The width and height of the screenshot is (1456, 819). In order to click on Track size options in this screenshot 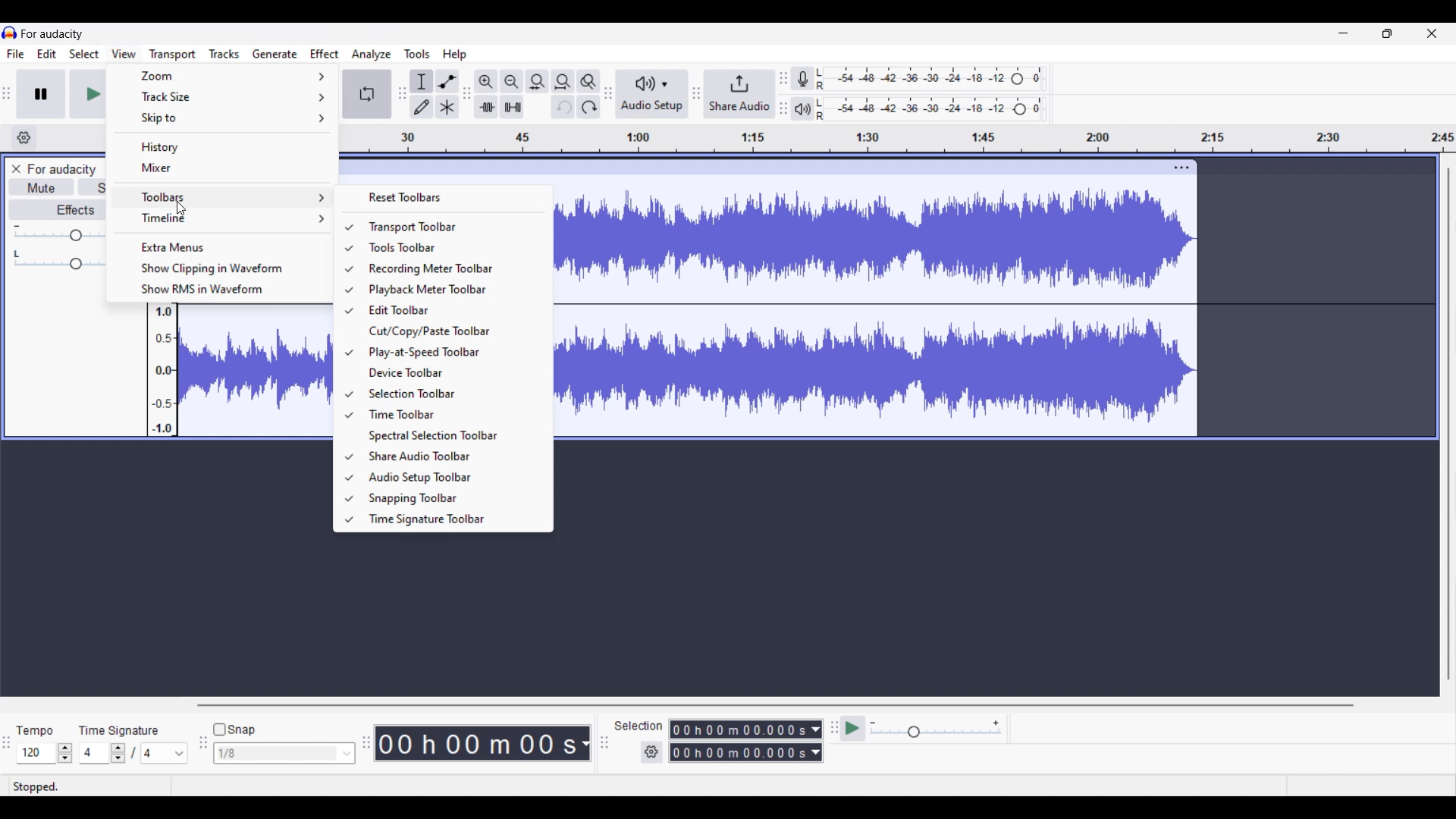, I will do `click(224, 96)`.